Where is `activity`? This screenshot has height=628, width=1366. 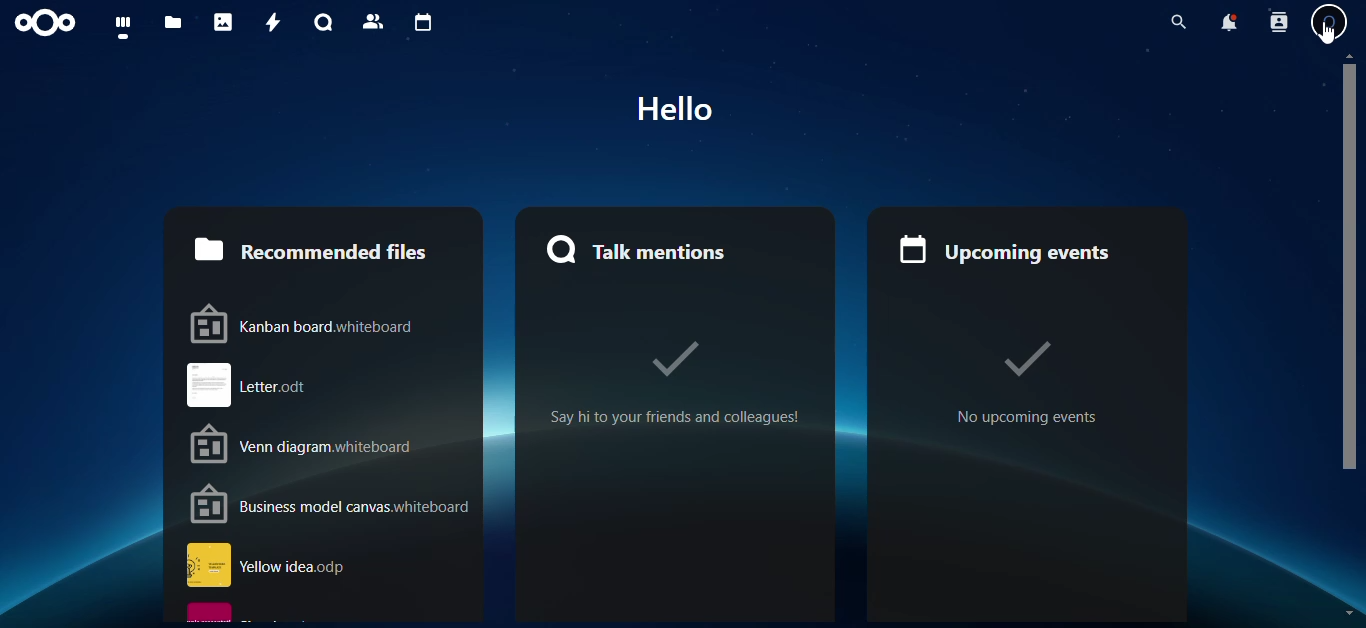 activity is located at coordinates (269, 21).